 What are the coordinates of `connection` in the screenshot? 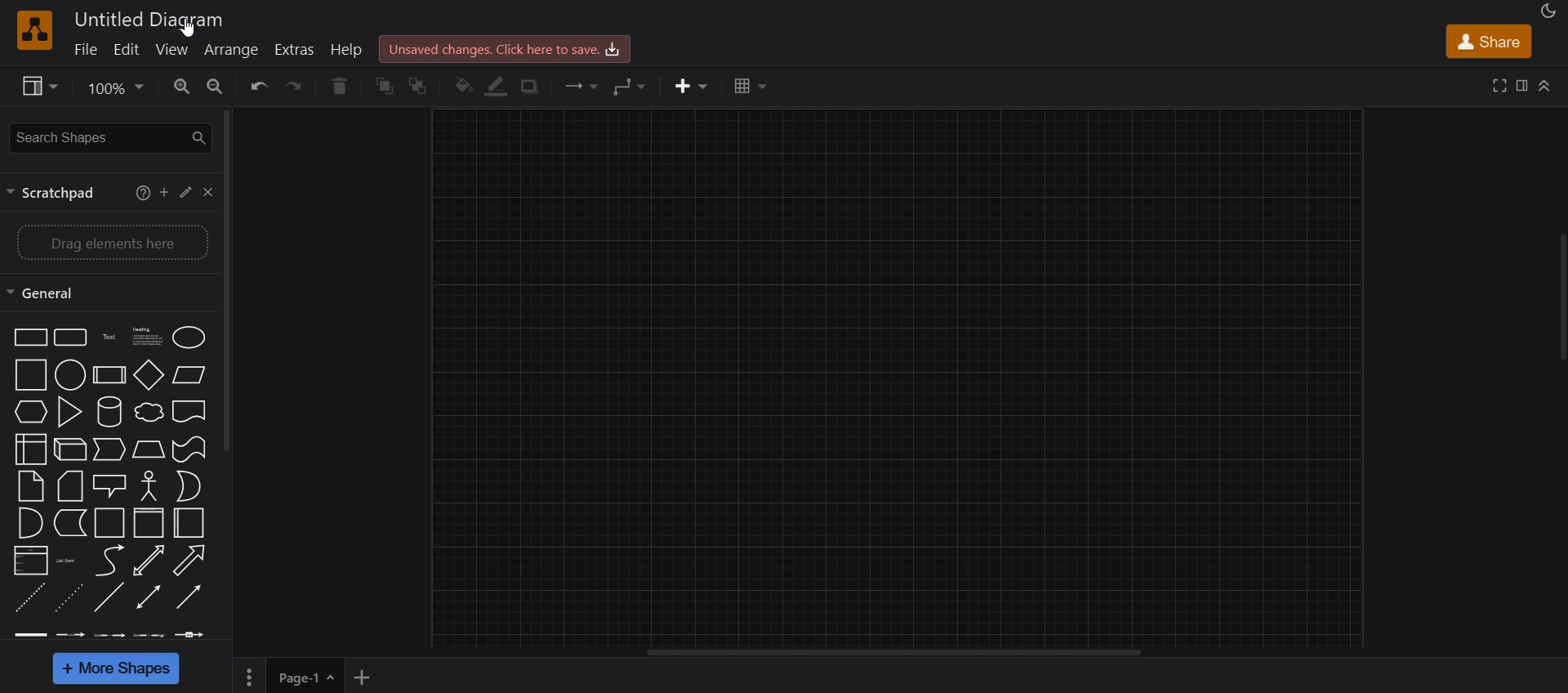 It's located at (577, 85).